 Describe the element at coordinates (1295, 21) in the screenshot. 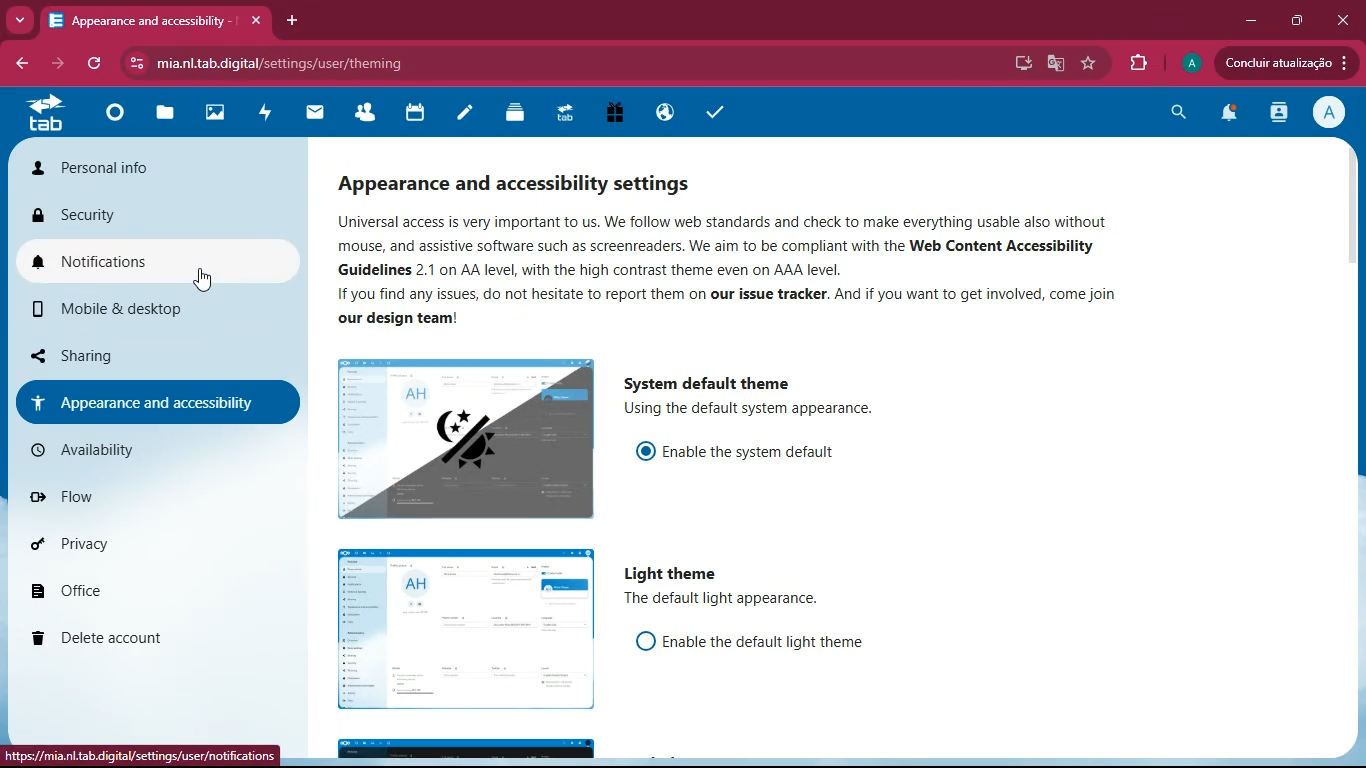

I see `maximize` at that location.